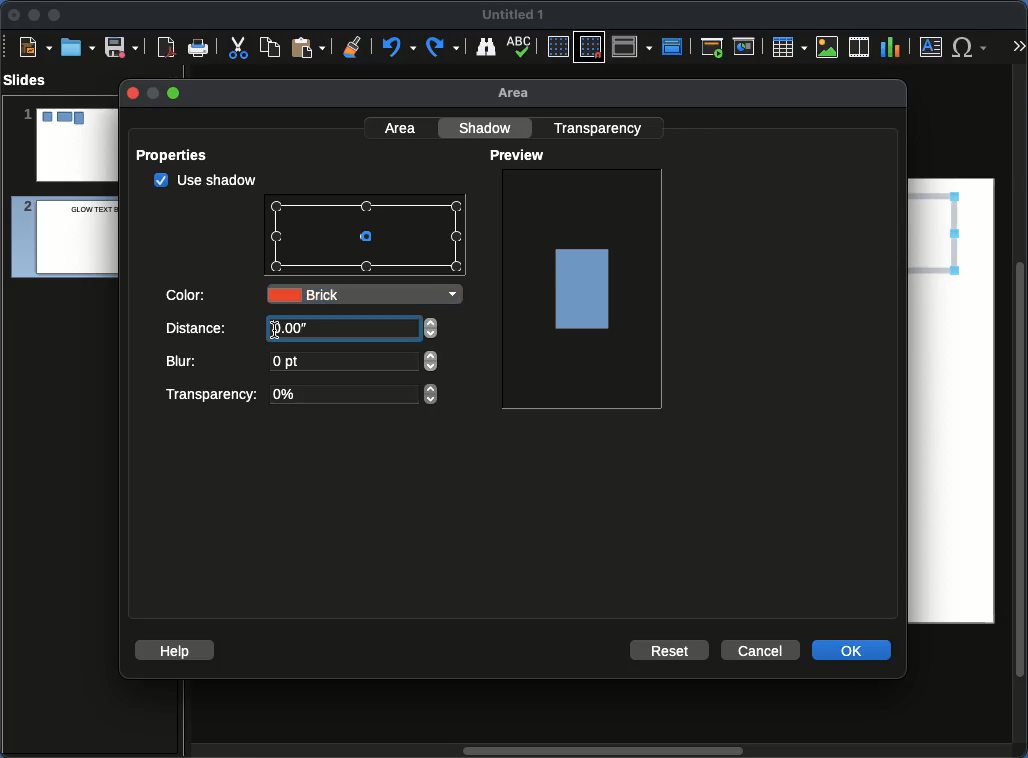 The width and height of the screenshot is (1028, 758). What do you see at coordinates (175, 649) in the screenshot?
I see `Help` at bounding box center [175, 649].